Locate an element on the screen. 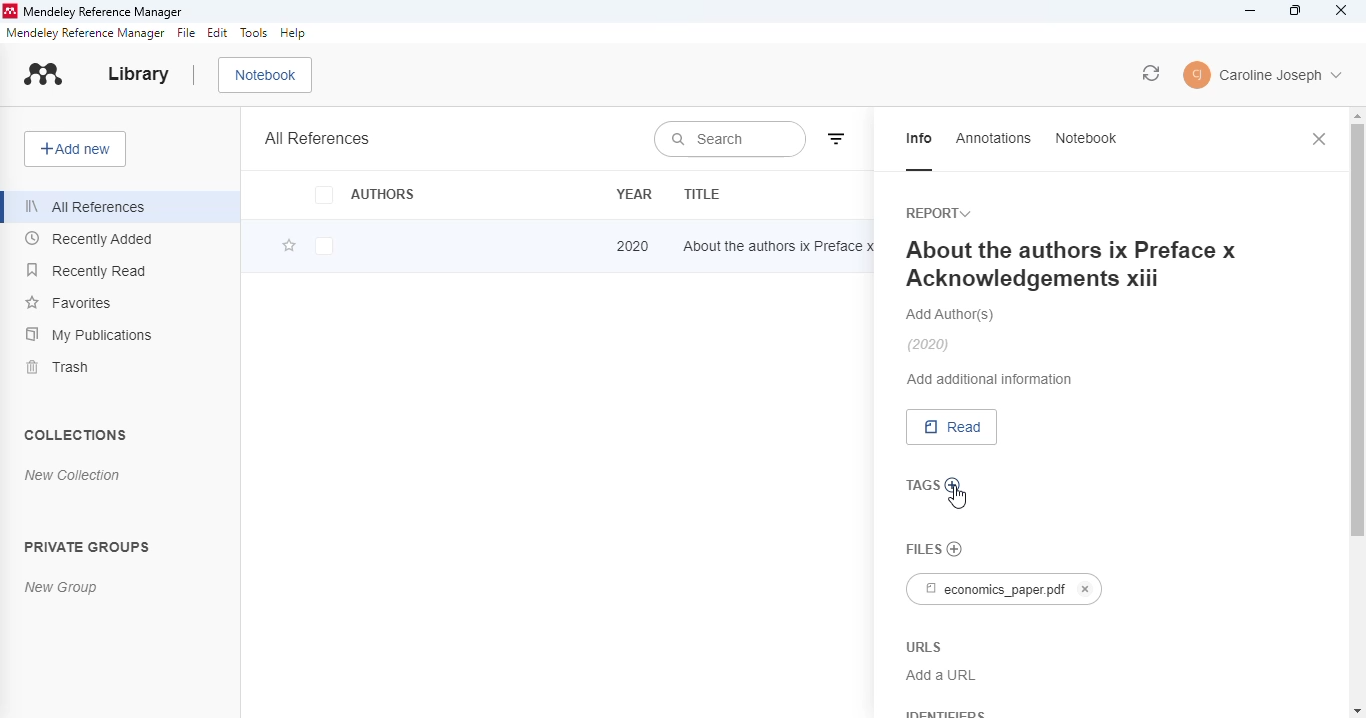  trash is located at coordinates (60, 367).